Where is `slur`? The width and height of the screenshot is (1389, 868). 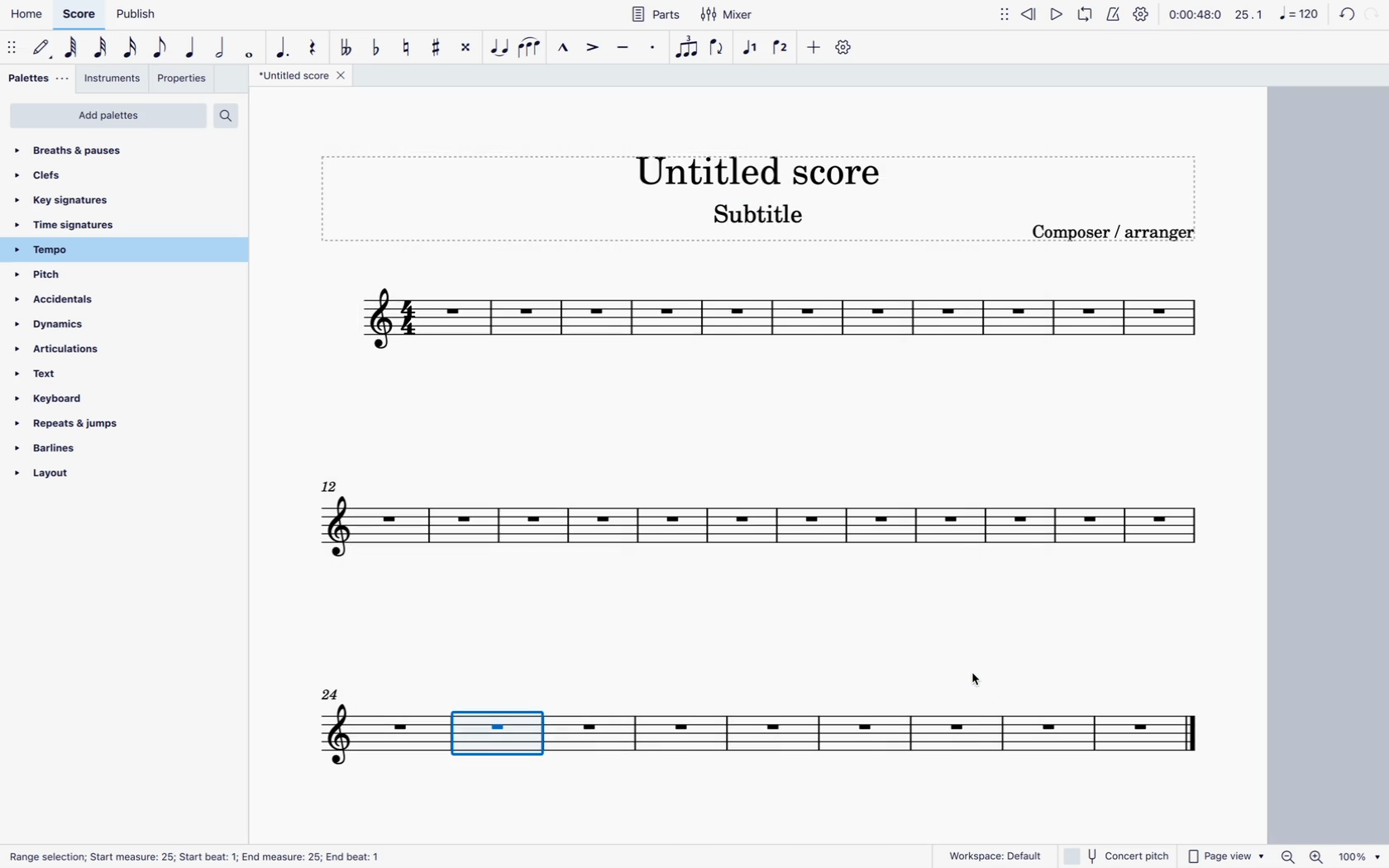
slur is located at coordinates (531, 48).